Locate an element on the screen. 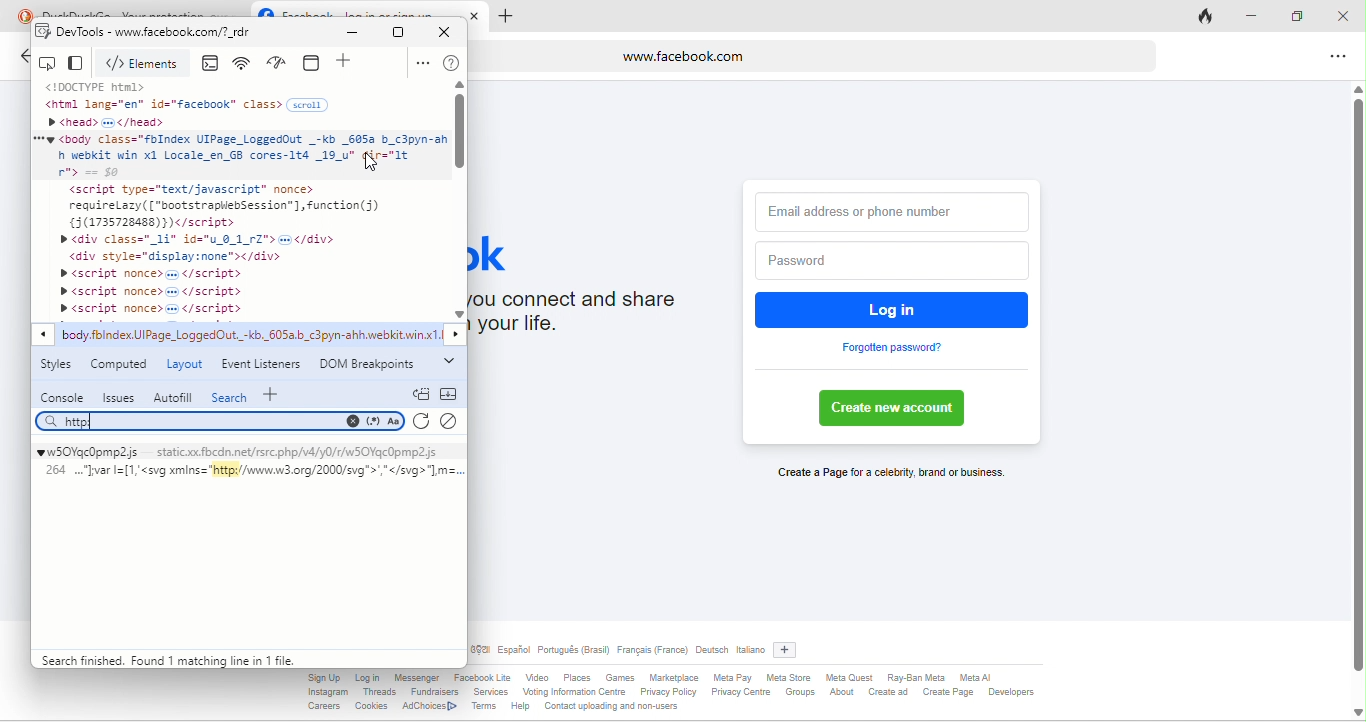 Image resolution: width=1366 pixels, height=722 pixels. console is located at coordinates (214, 64).